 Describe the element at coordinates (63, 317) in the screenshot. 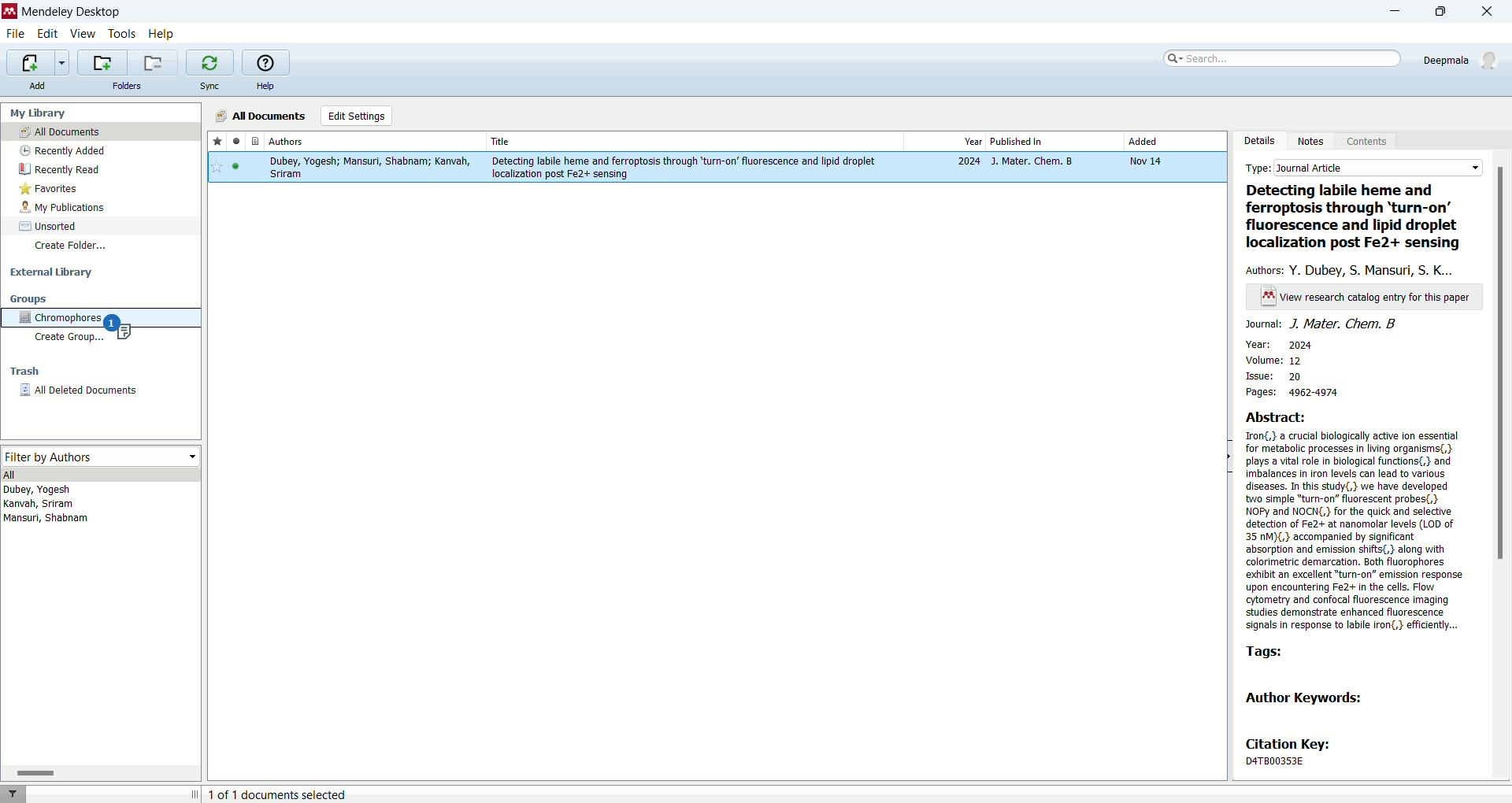

I see `chromophores` at that location.